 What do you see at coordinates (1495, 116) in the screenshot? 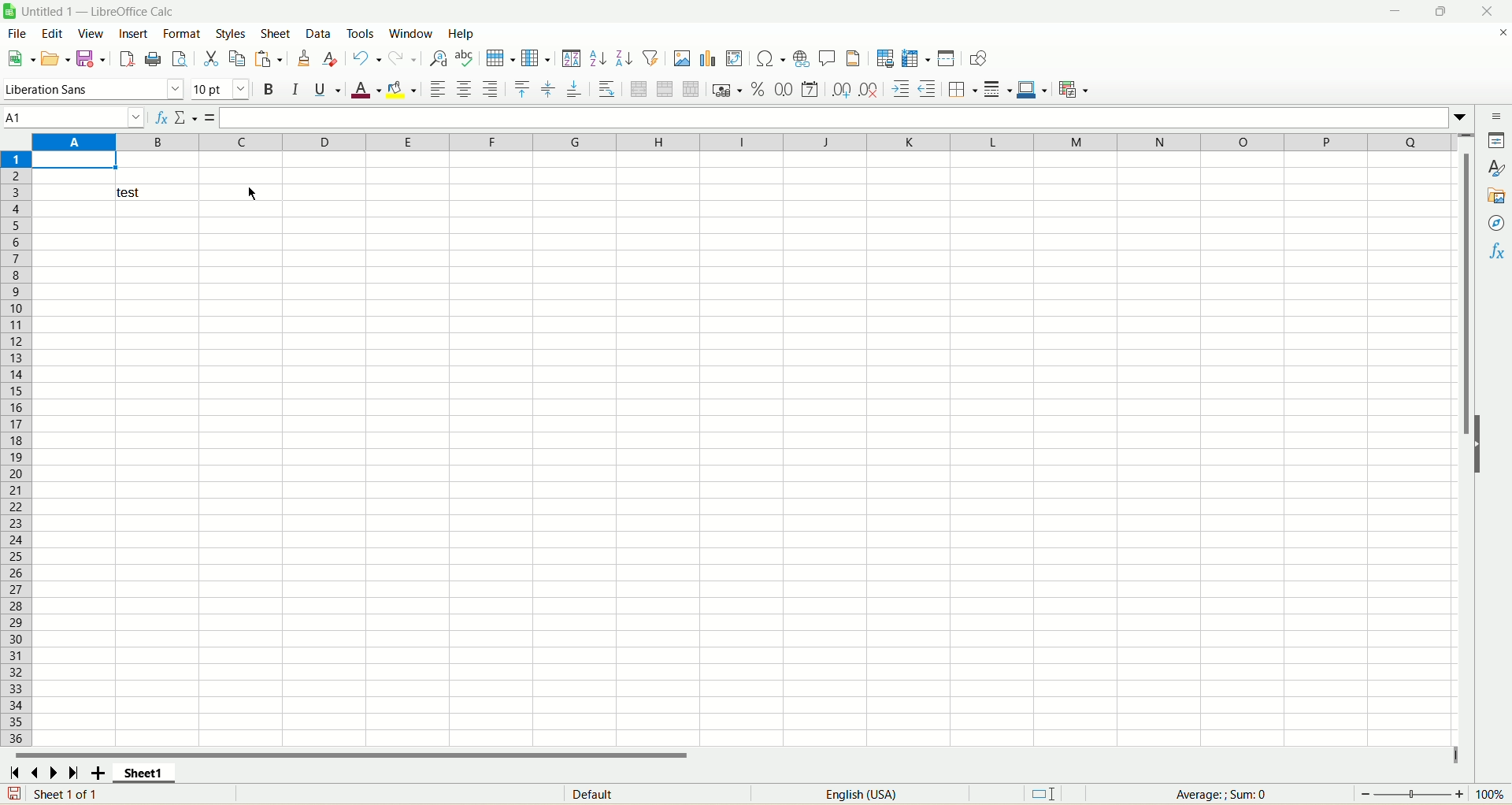
I see `sidebar menu` at bounding box center [1495, 116].